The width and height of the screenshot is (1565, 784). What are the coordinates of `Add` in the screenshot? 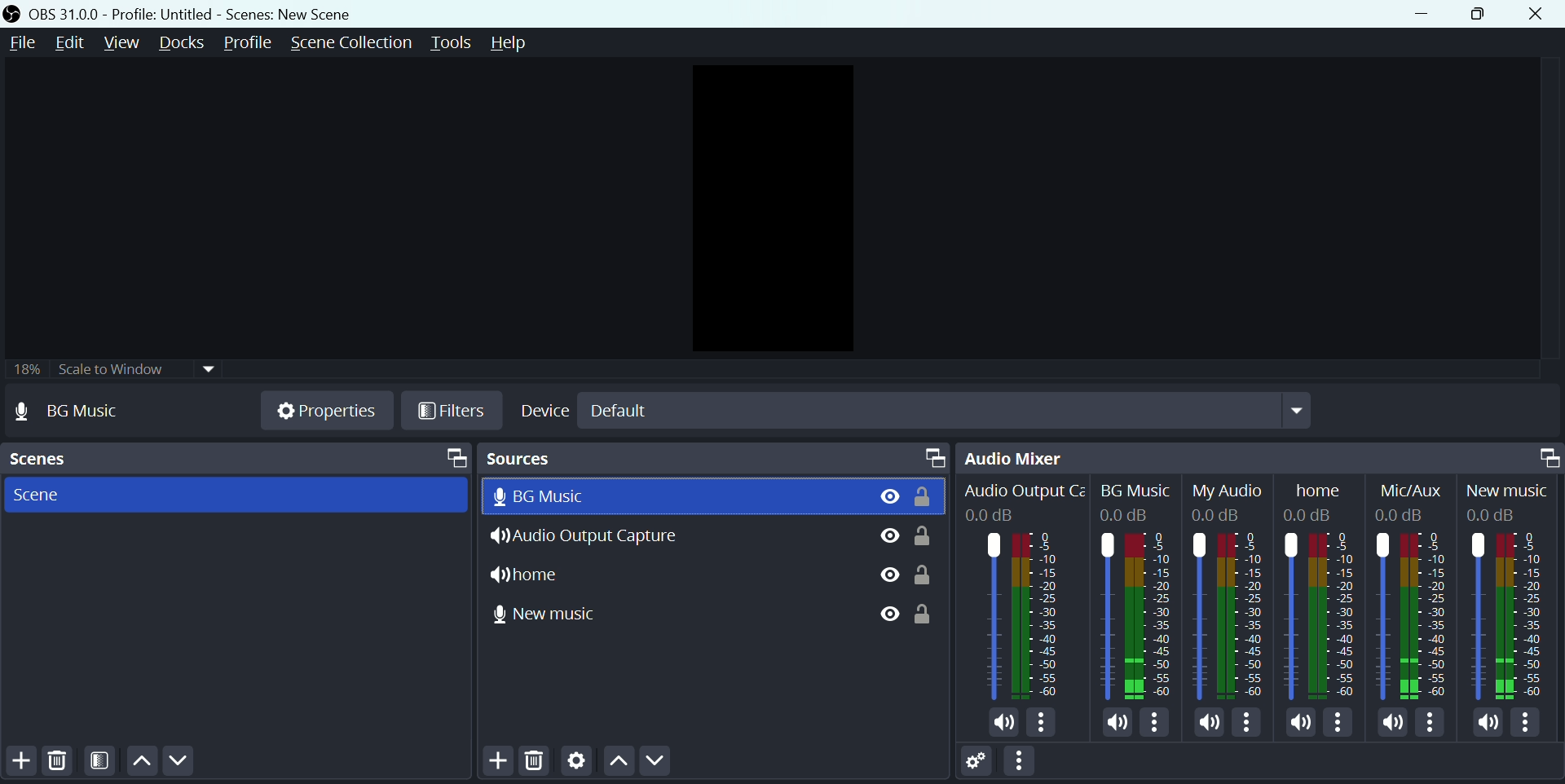 It's located at (19, 762).